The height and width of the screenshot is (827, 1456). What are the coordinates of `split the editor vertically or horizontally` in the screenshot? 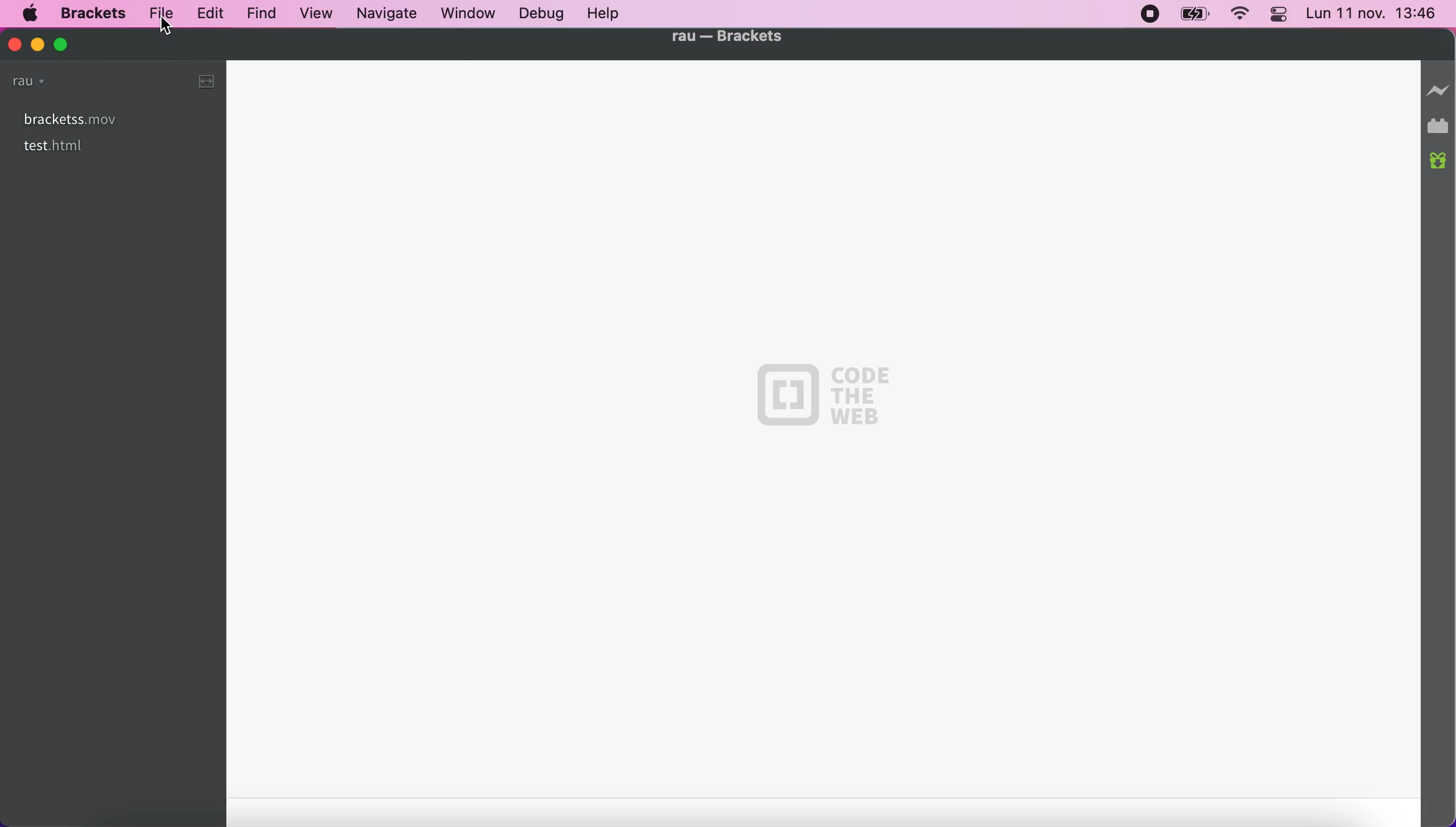 It's located at (200, 81).